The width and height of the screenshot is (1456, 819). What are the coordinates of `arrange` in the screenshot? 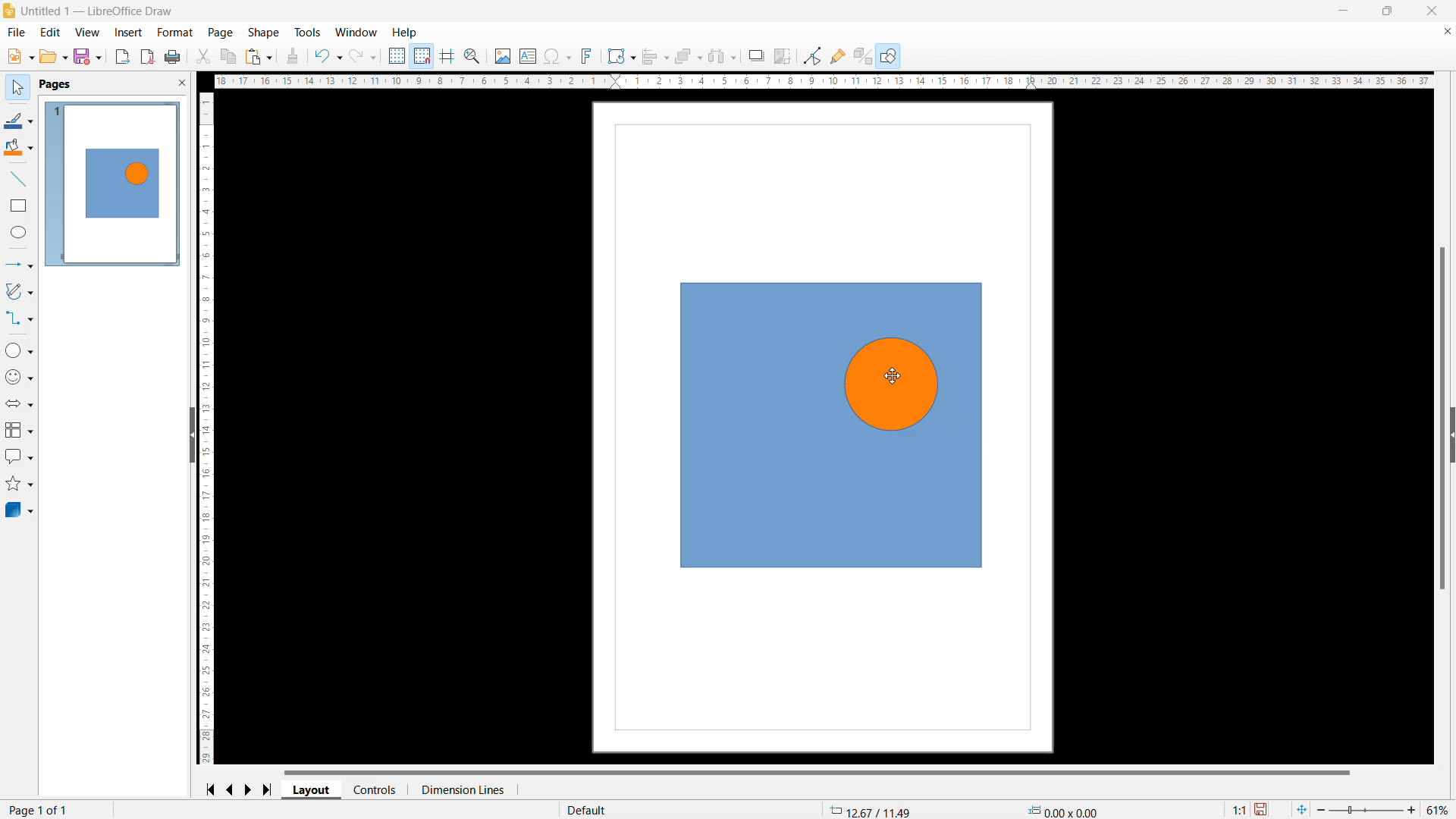 It's located at (688, 57).